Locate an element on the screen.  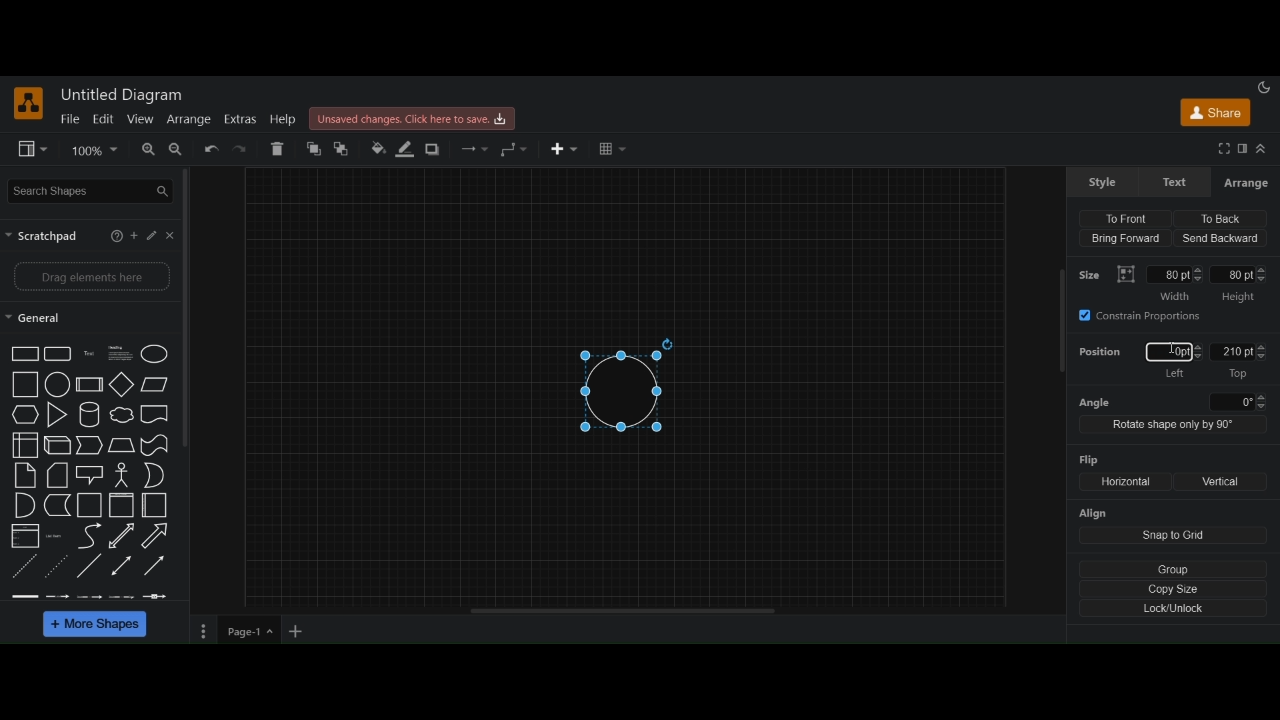
square shape is located at coordinates (122, 506).